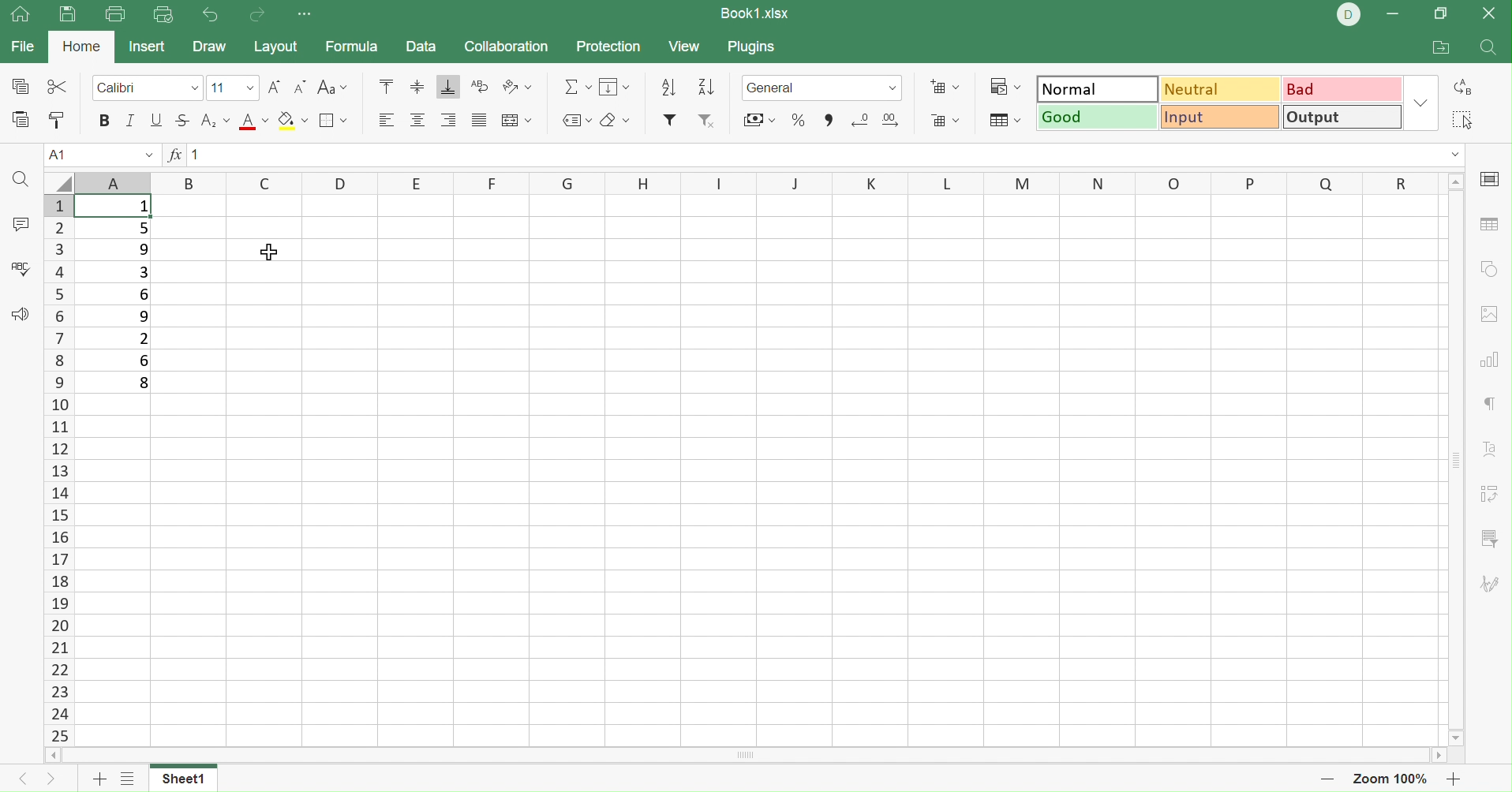 The width and height of the screenshot is (1512, 792). What do you see at coordinates (1440, 754) in the screenshot?
I see `Scroll right` at bounding box center [1440, 754].